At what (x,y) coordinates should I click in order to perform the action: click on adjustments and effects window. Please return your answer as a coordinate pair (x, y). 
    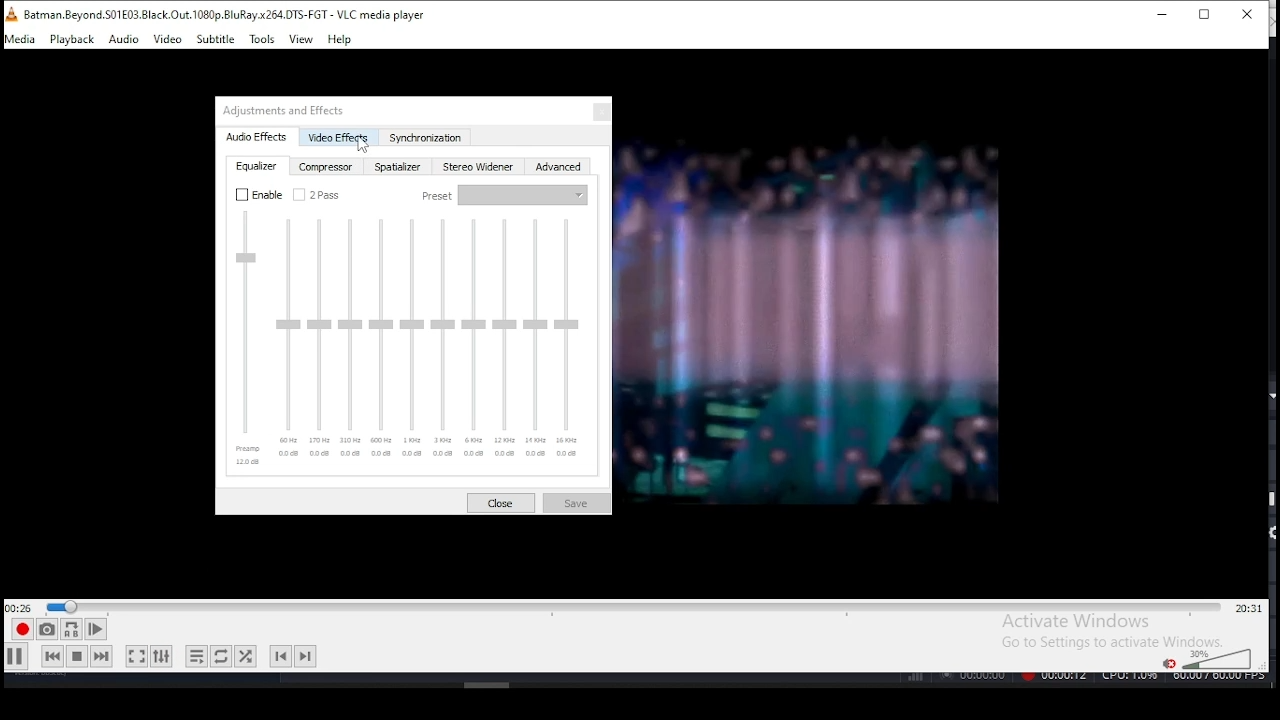
    Looking at the image, I should click on (306, 109).